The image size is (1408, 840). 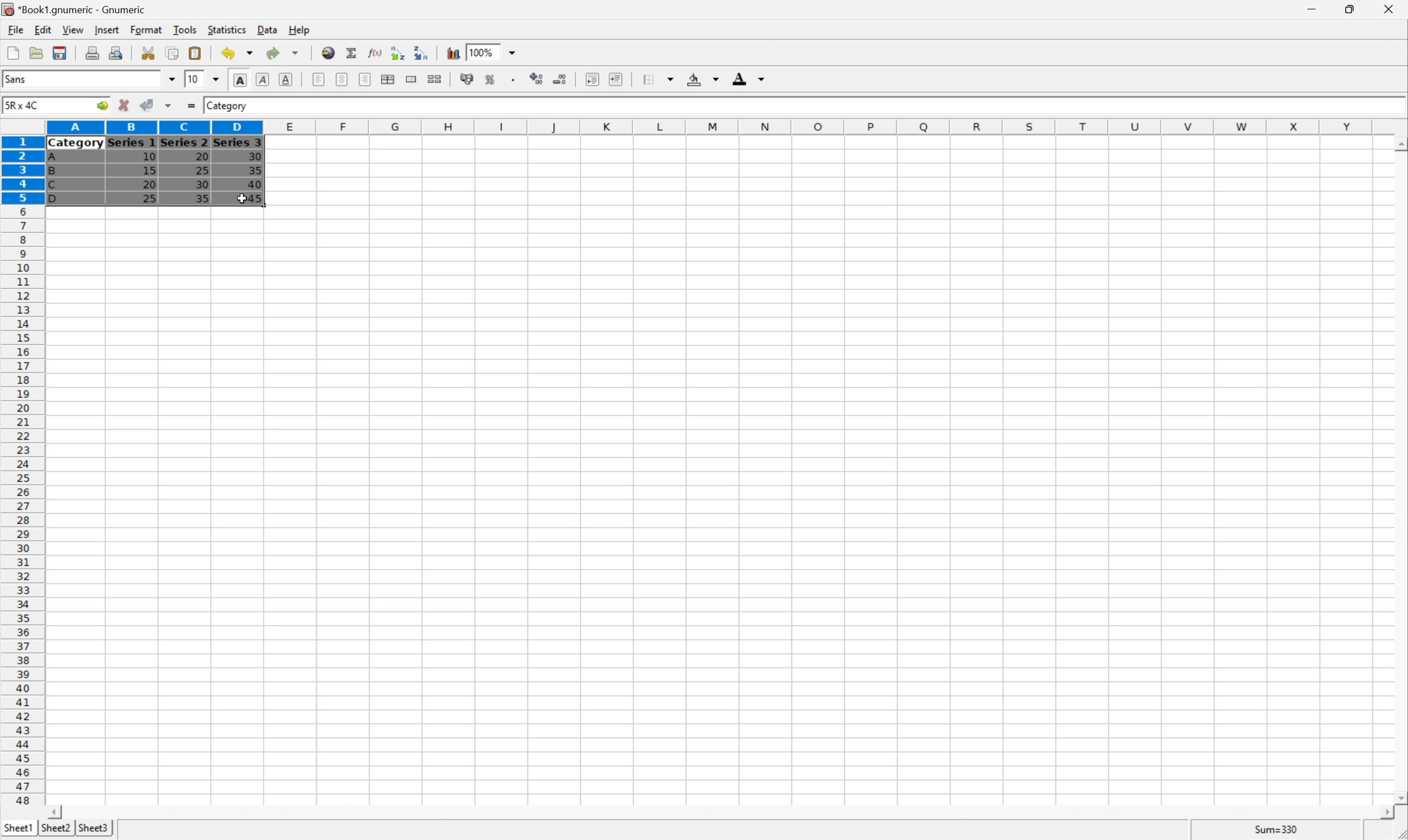 What do you see at coordinates (343, 78) in the screenshot?
I see `Center horizontally` at bounding box center [343, 78].